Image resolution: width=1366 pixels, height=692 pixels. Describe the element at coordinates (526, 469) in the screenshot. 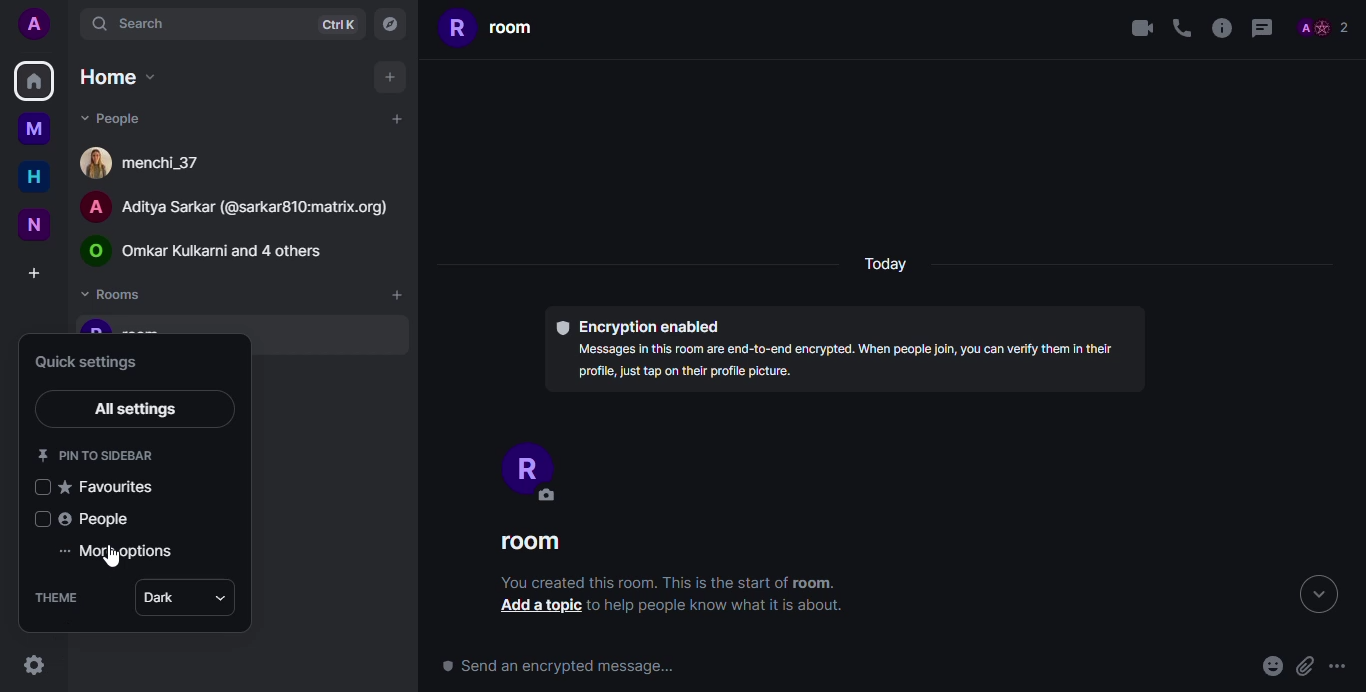

I see `profile` at that location.